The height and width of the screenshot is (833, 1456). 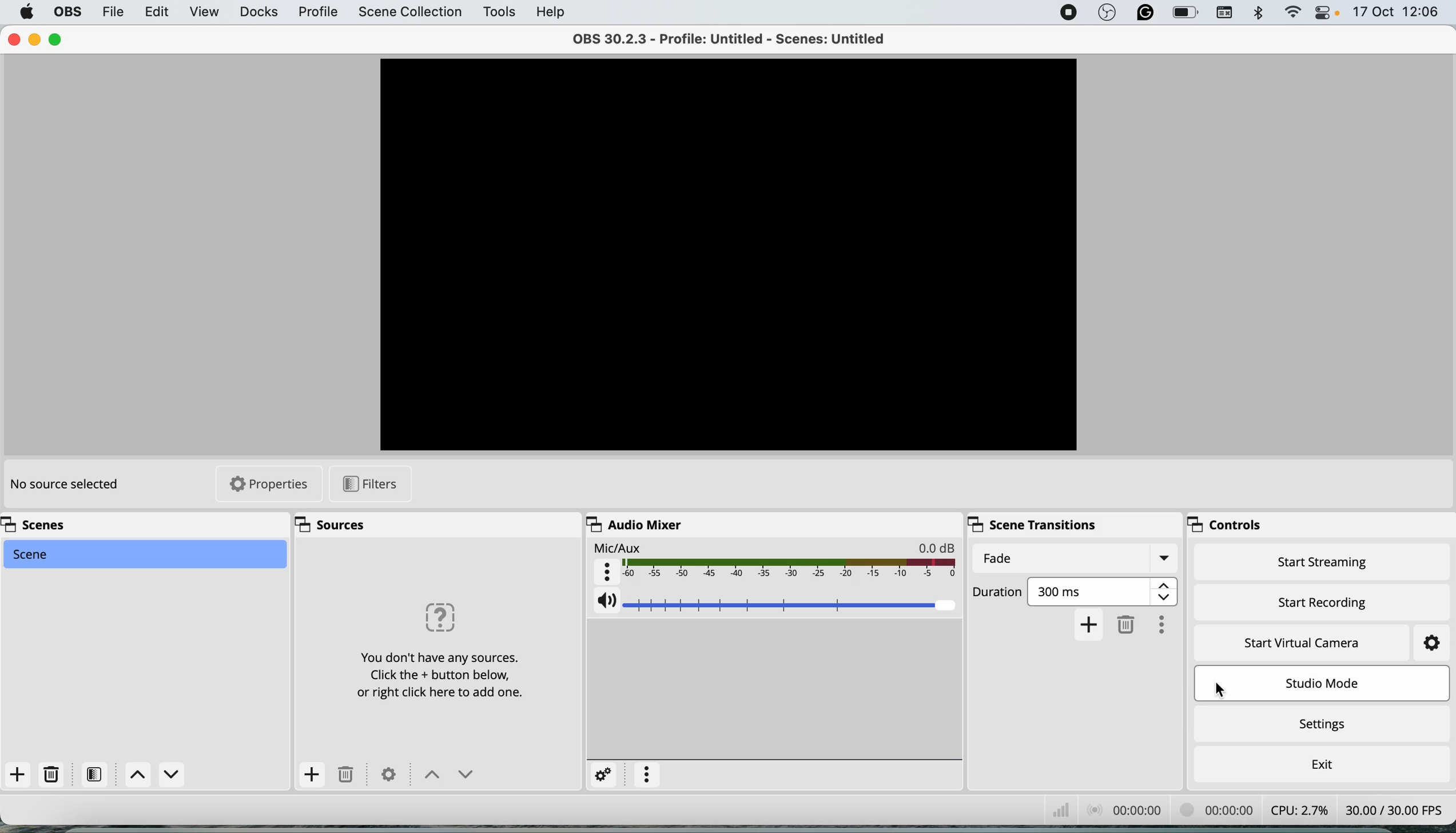 What do you see at coordinates (112, 13) in the screenshot?
I see `file` at bounding box center [112, 13].